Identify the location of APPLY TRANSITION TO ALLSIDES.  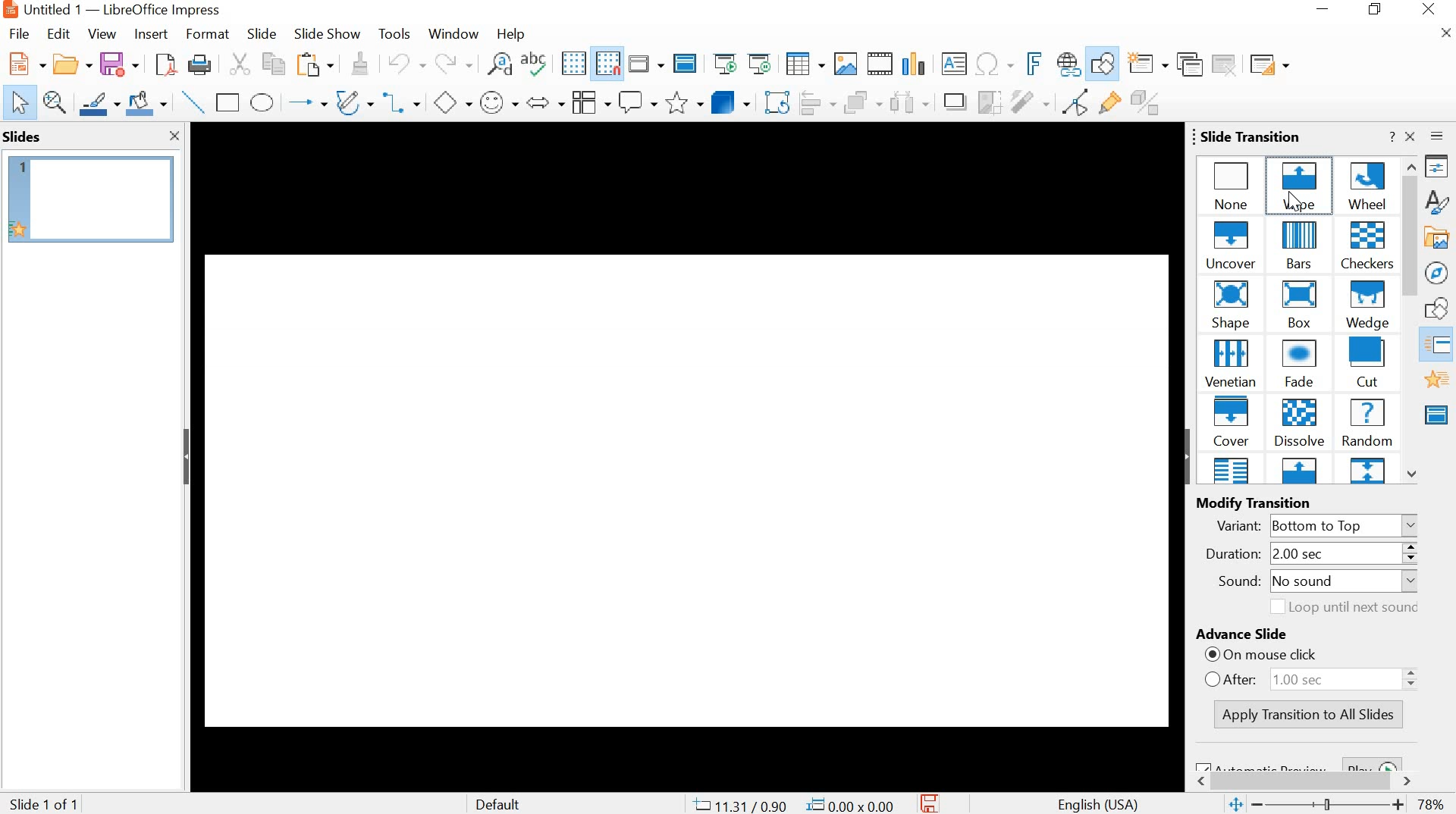
(1311, 715).